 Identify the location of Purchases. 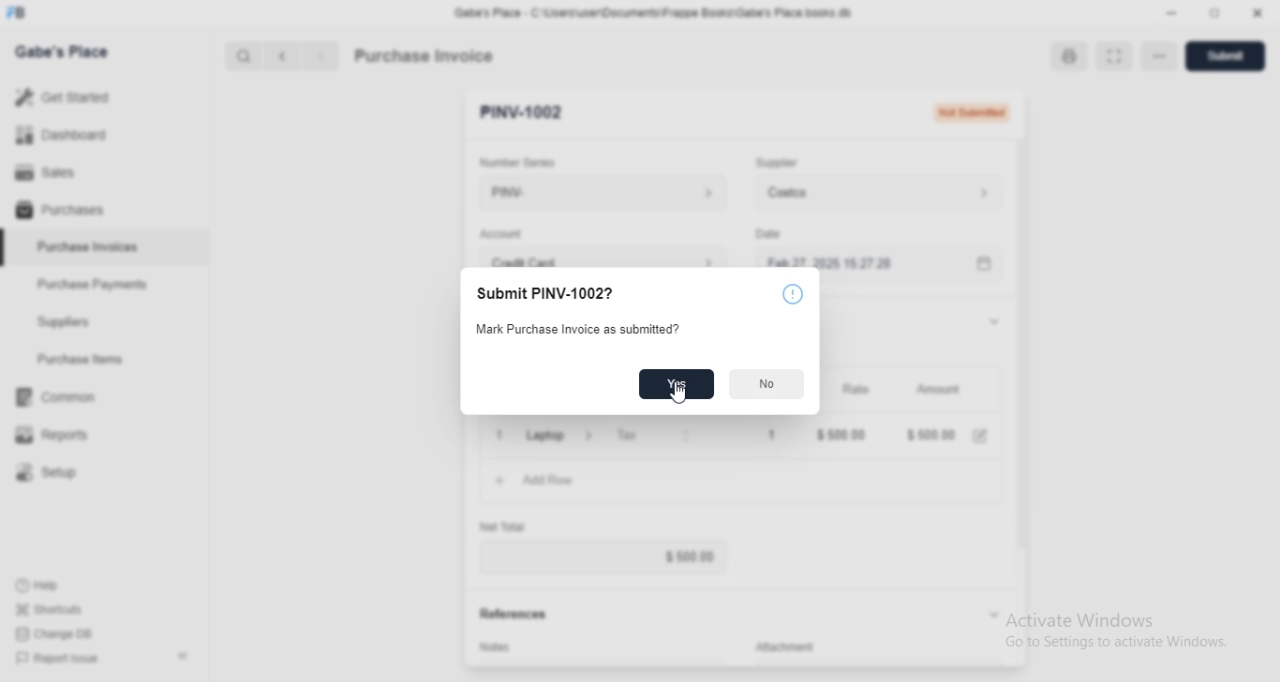
(104, 208).